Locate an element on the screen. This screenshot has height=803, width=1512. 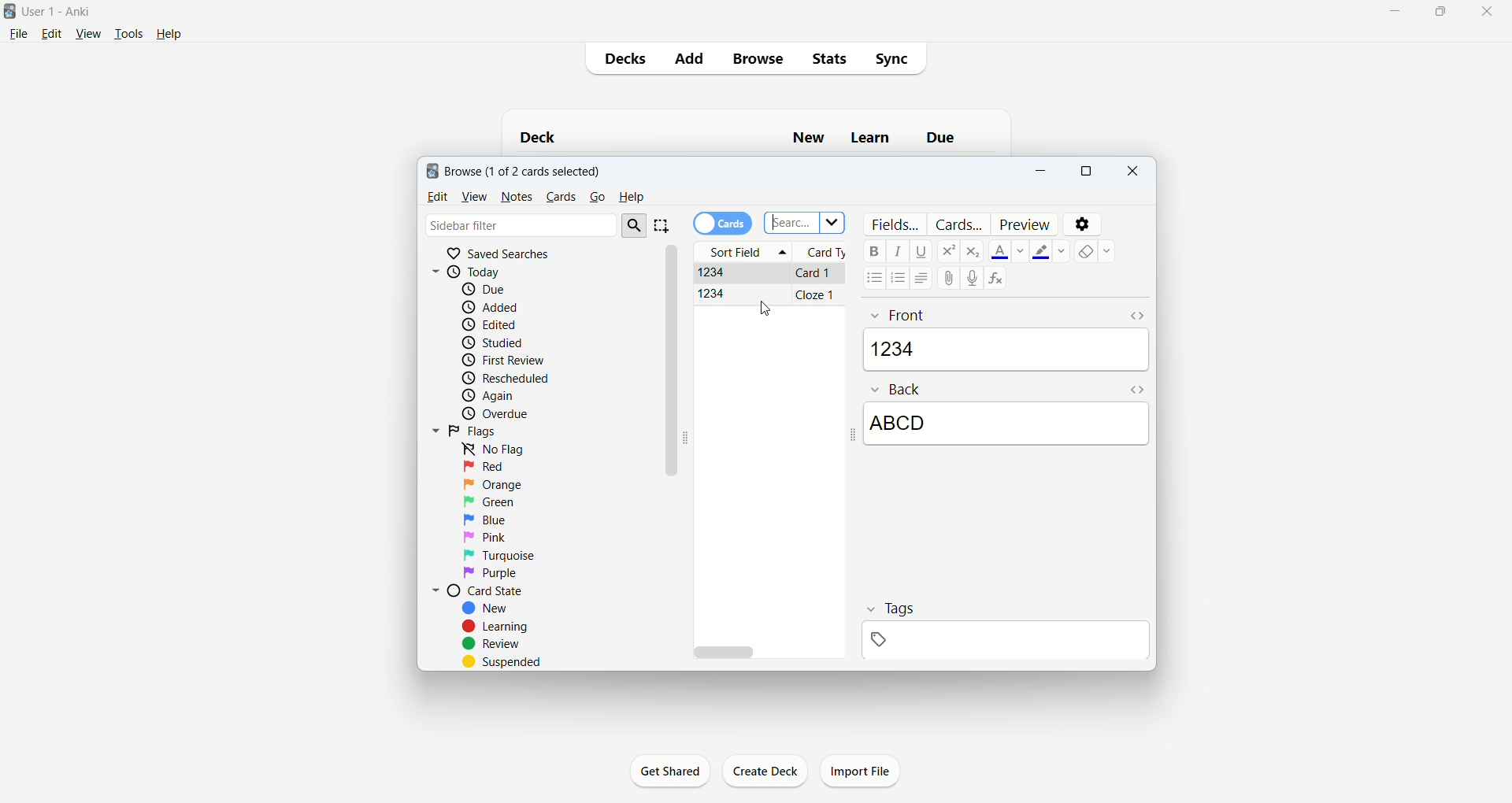
close is located at coordinates (1135, 173).